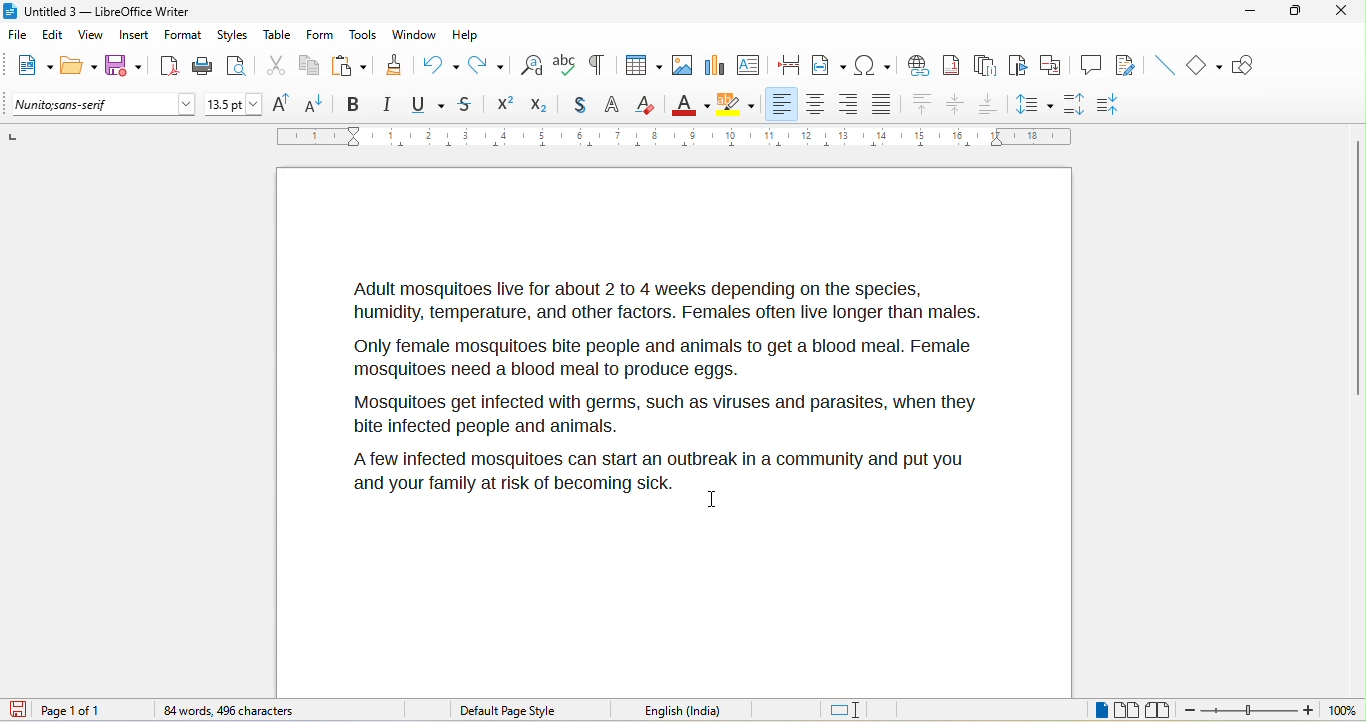 The image size is (1366, 722). What do you see at coordinates (491, 64) in the screenshot?
I see `redo` at bounding box center [491, 64].